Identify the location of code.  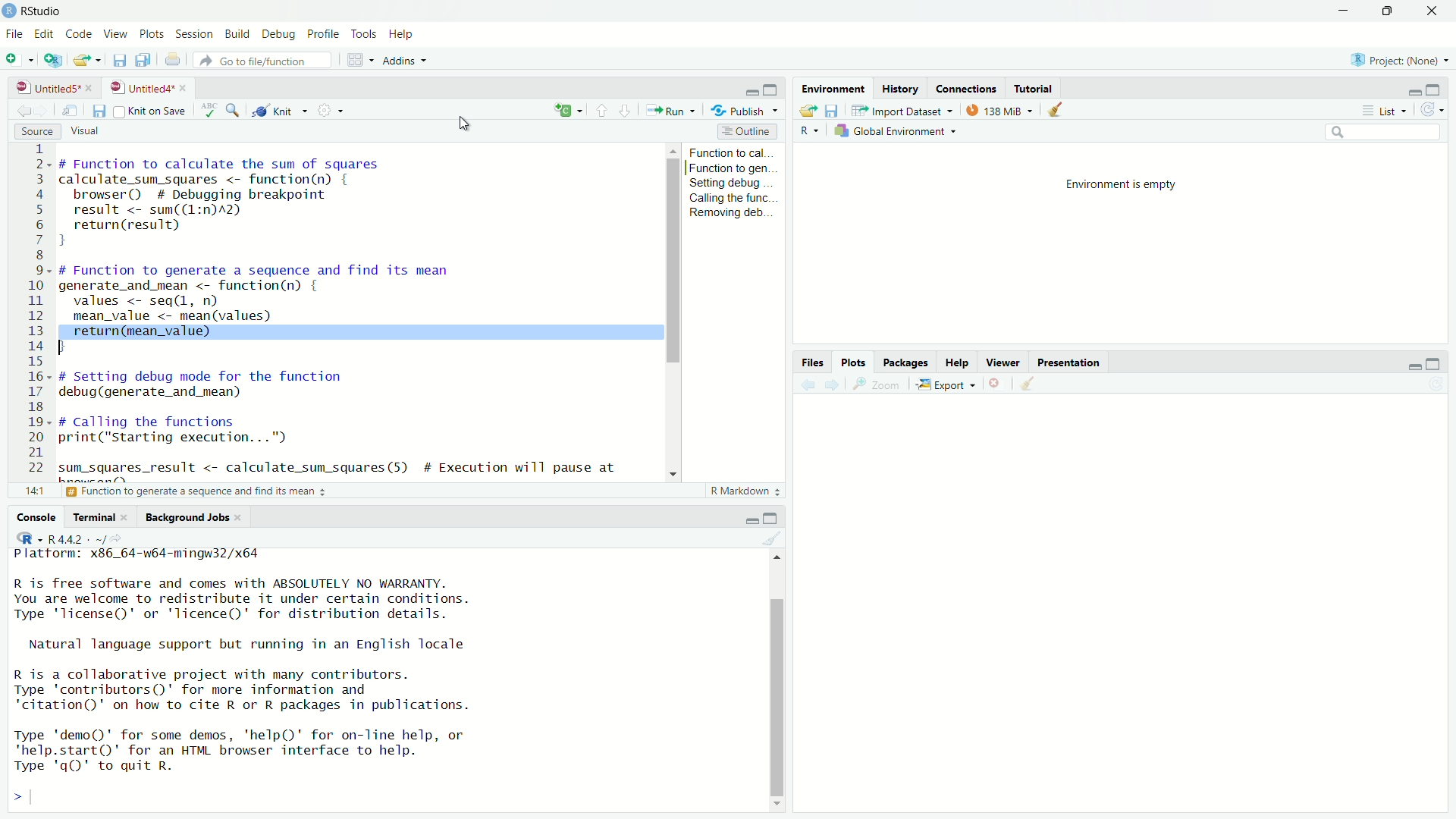
(81, 32).